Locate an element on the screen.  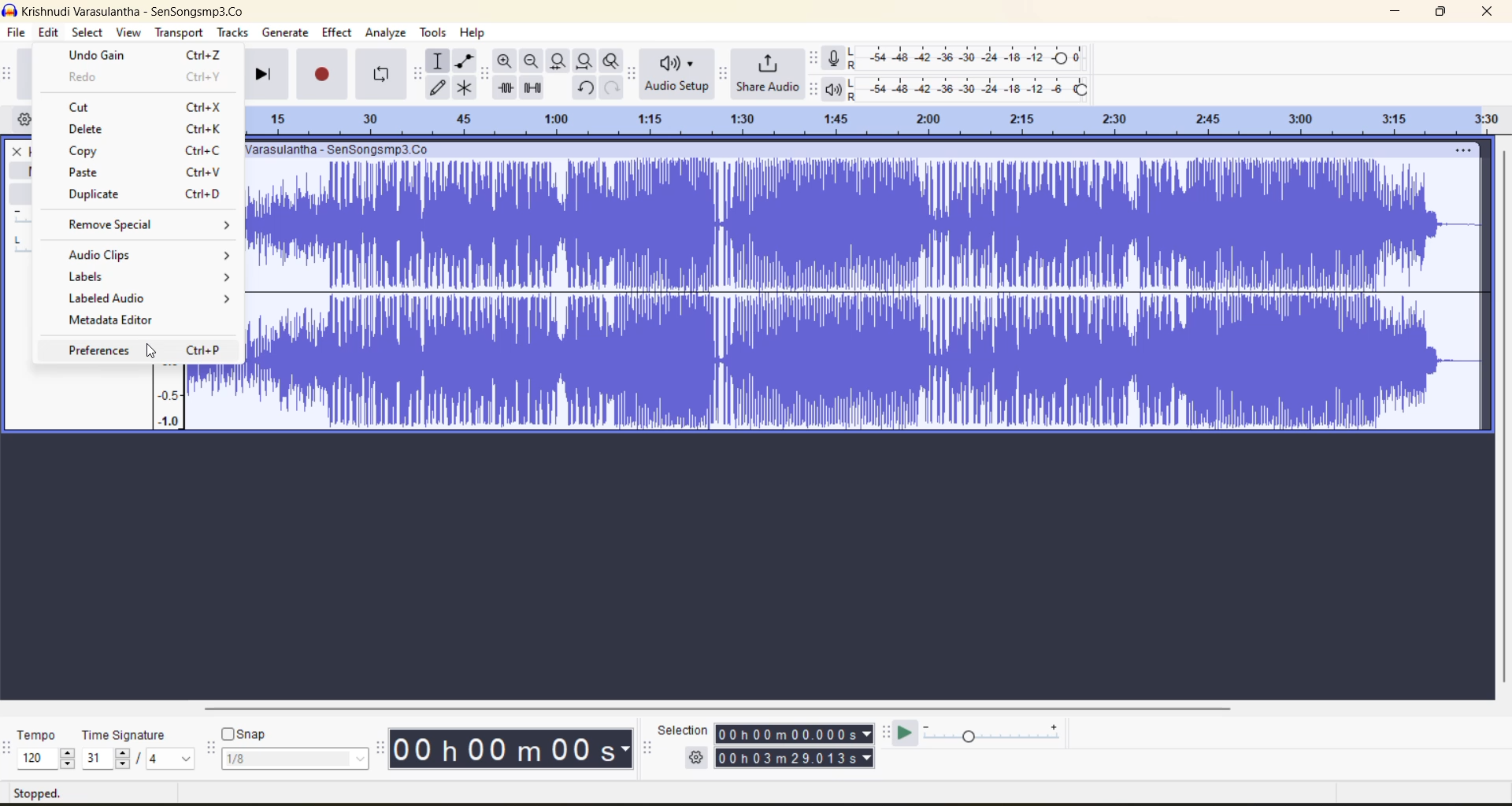
edit is located at coordinates (51, 35).